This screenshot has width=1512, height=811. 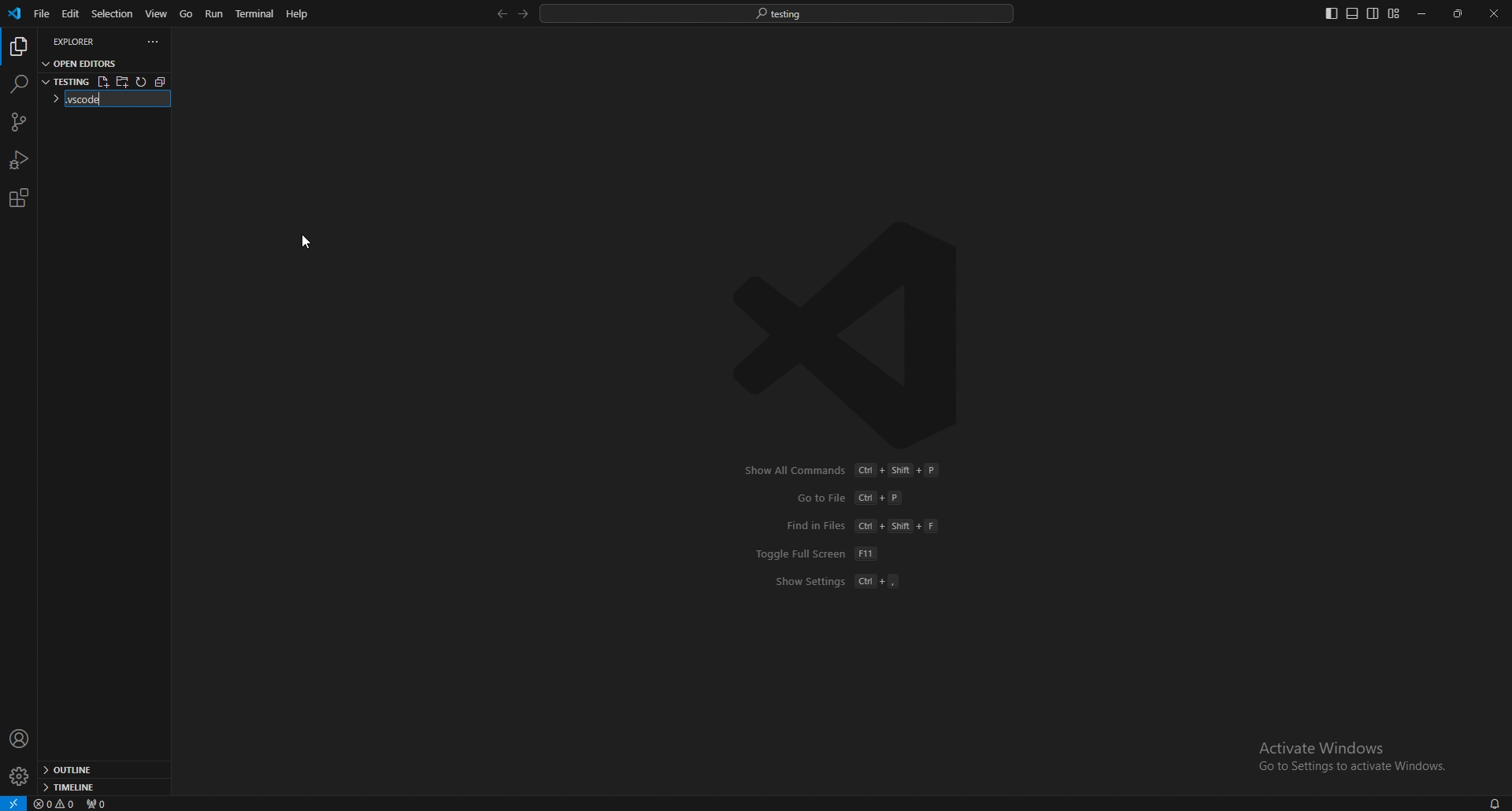 I want to click on profile, so click(x=20, y=739).